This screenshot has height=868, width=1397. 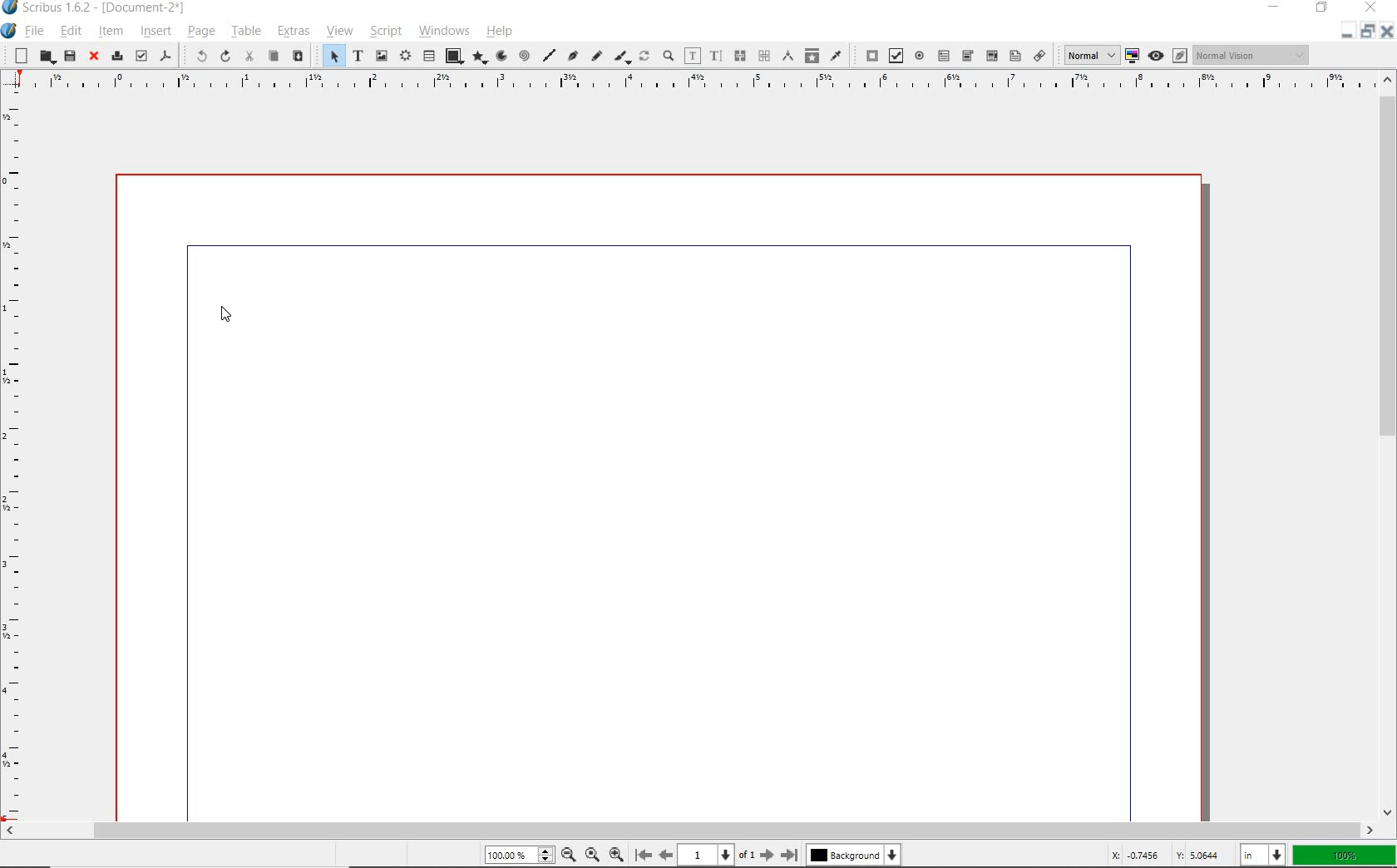 I want to click on cut, so click(x=249, y=57).